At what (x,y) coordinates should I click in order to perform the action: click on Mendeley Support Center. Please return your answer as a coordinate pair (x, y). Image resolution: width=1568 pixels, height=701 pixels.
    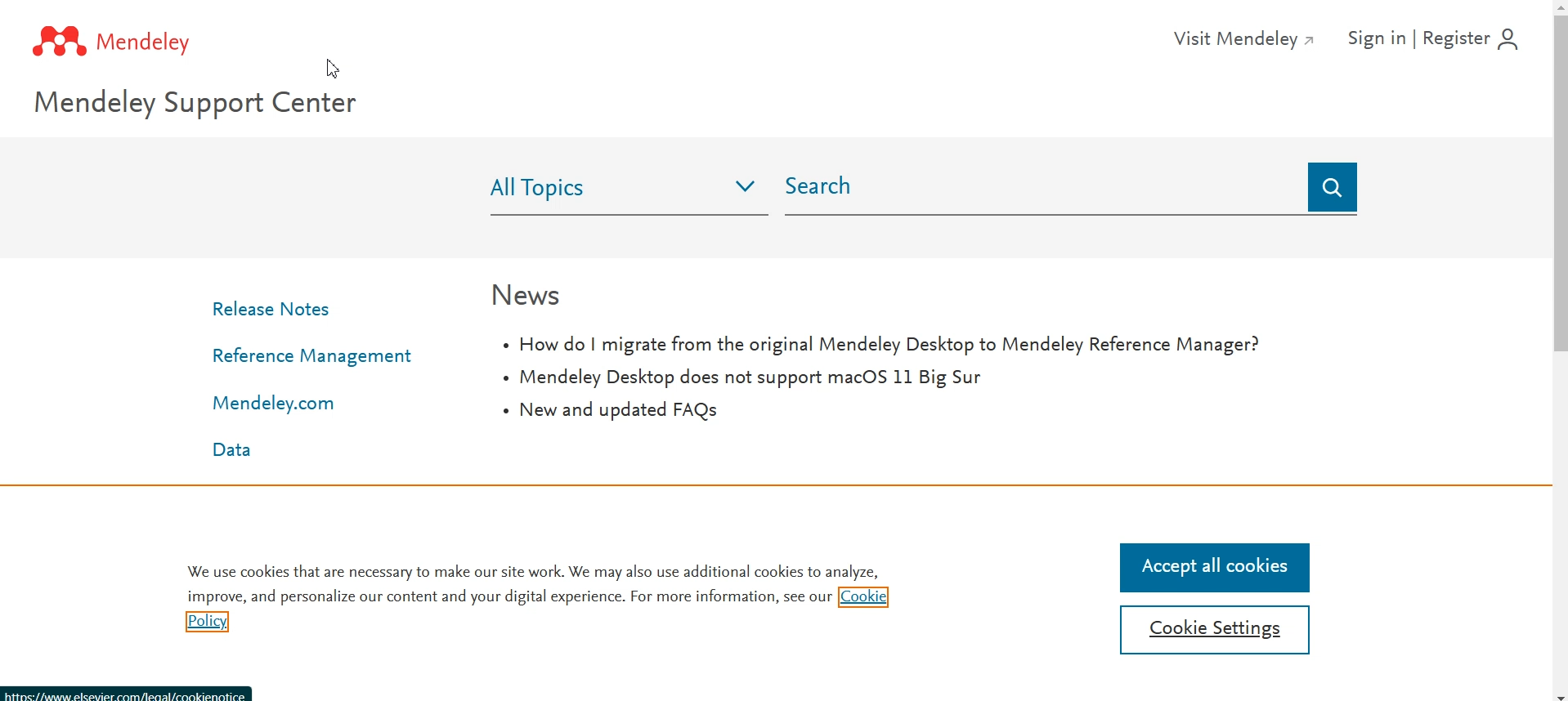
    Looking at the image, I should click on (214, 105).